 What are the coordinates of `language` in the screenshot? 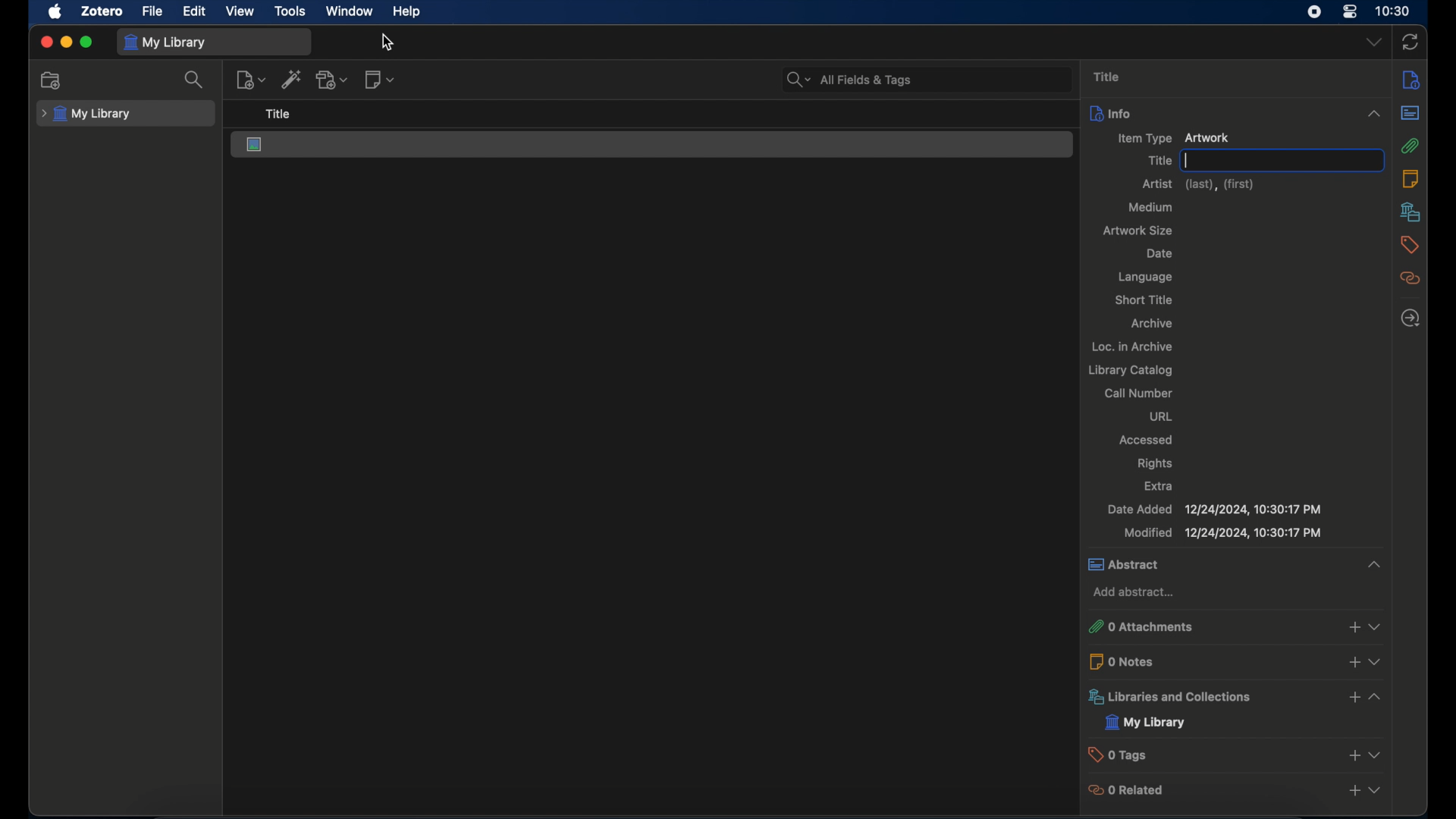 It's located at (1145, 278).